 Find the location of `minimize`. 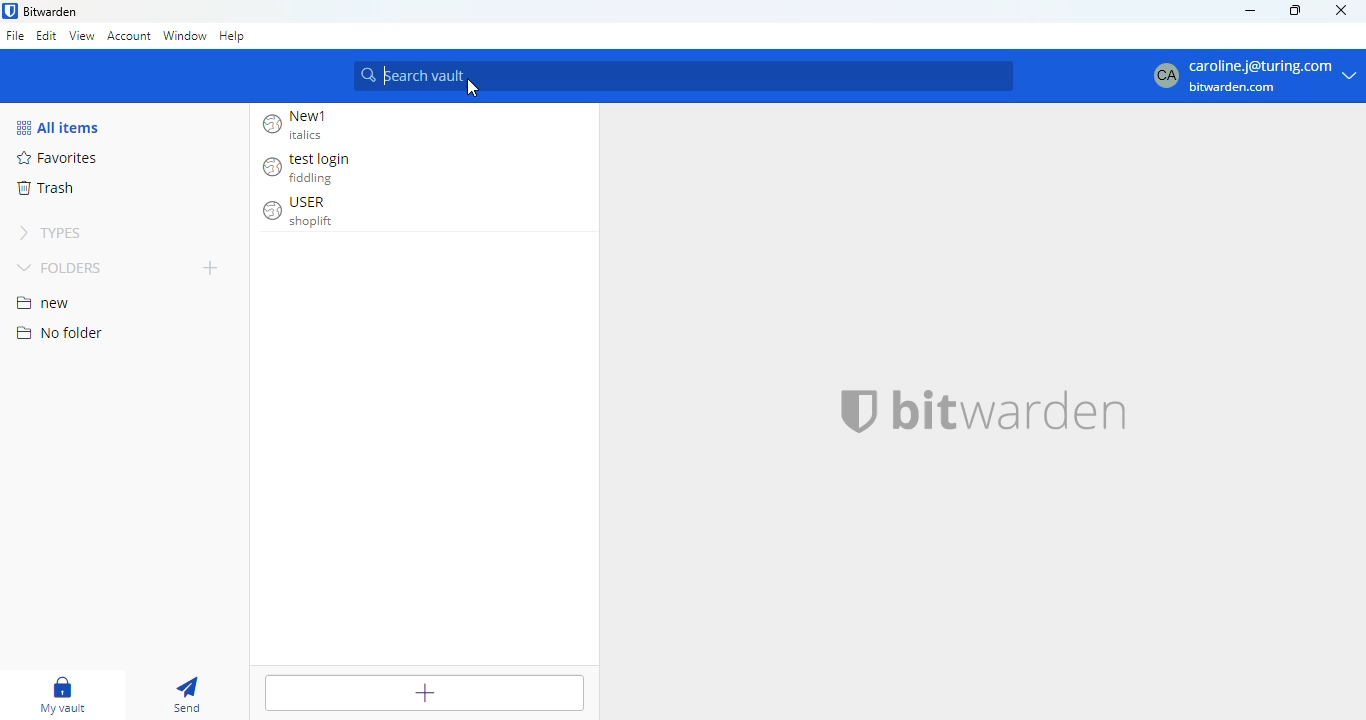

minimize is located at coordinates (1249, 11).